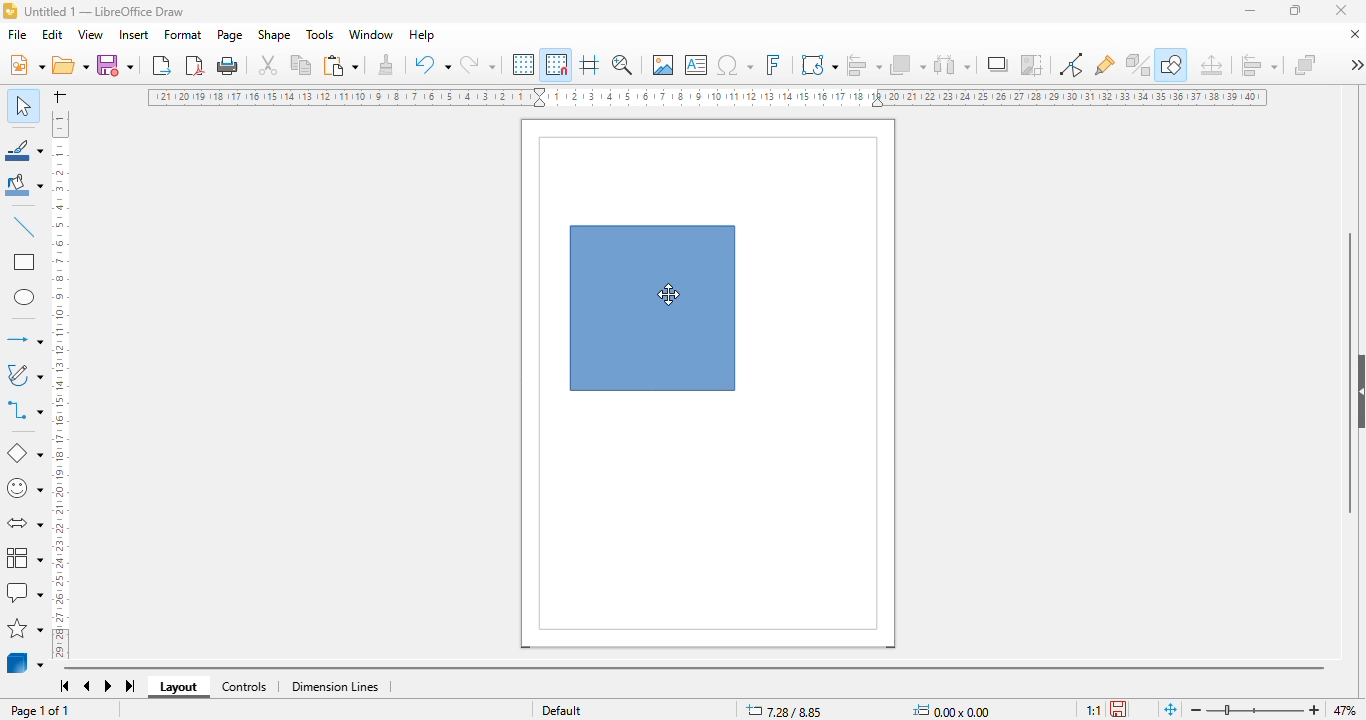 The image size is (1366, 720). I want to click on zoom in, so click(1316, 710).